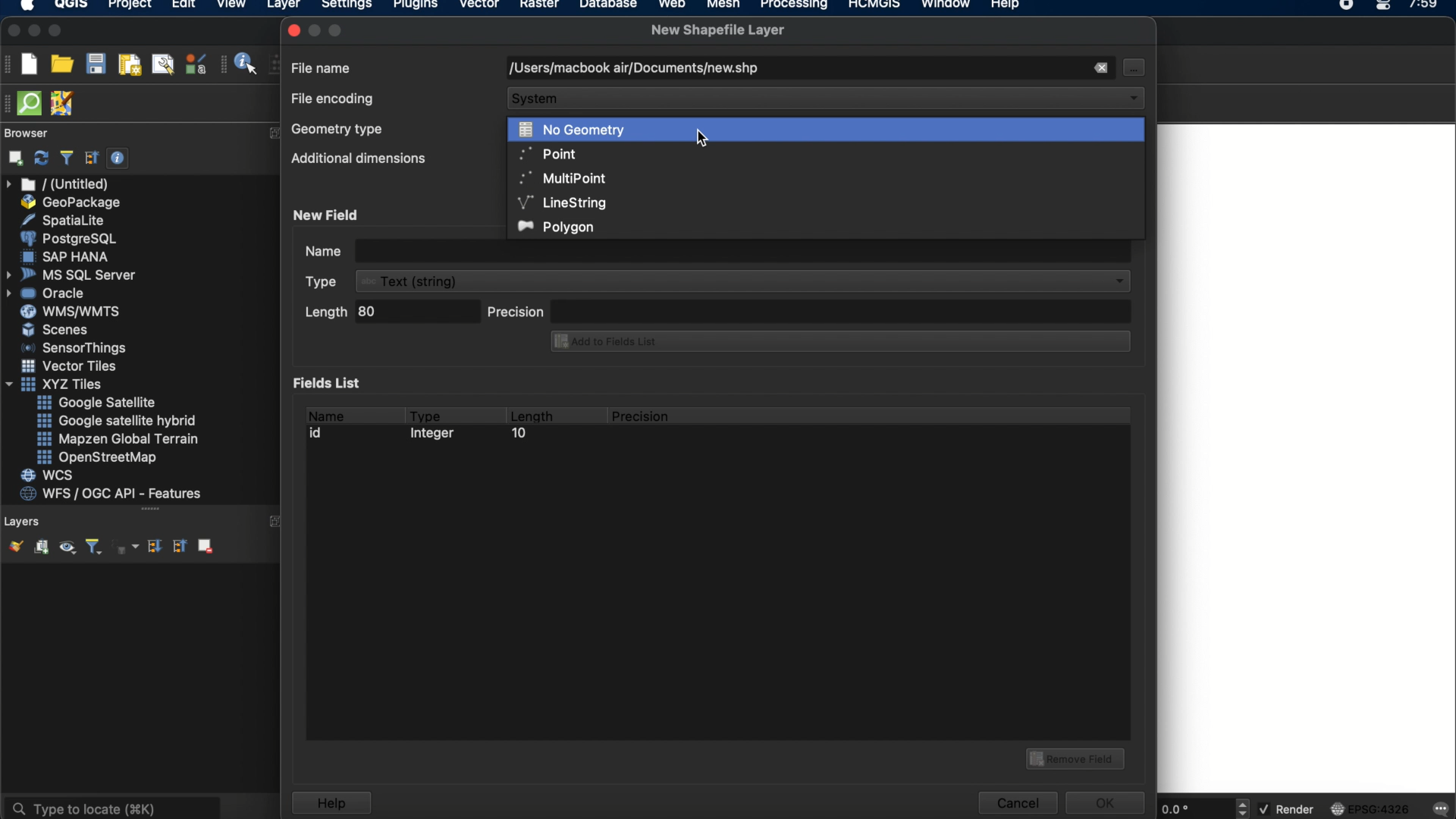 The height and width of the screenshot is (819, 1456). What do you see at coordinates (97, 458) in the screenshot?
I see `openstreetmap` at bounding box center [97, 458].